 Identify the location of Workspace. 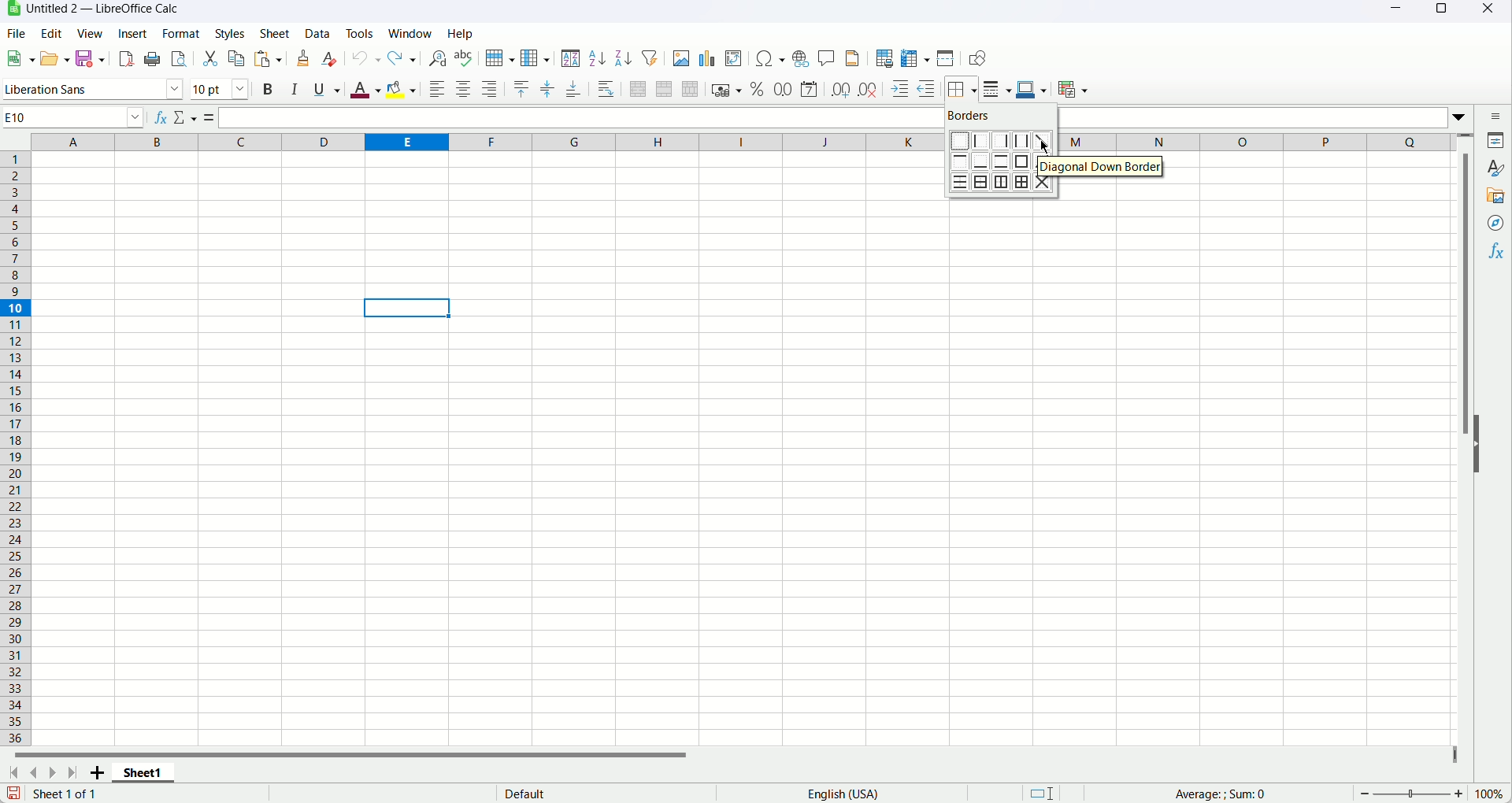
(493, 450).